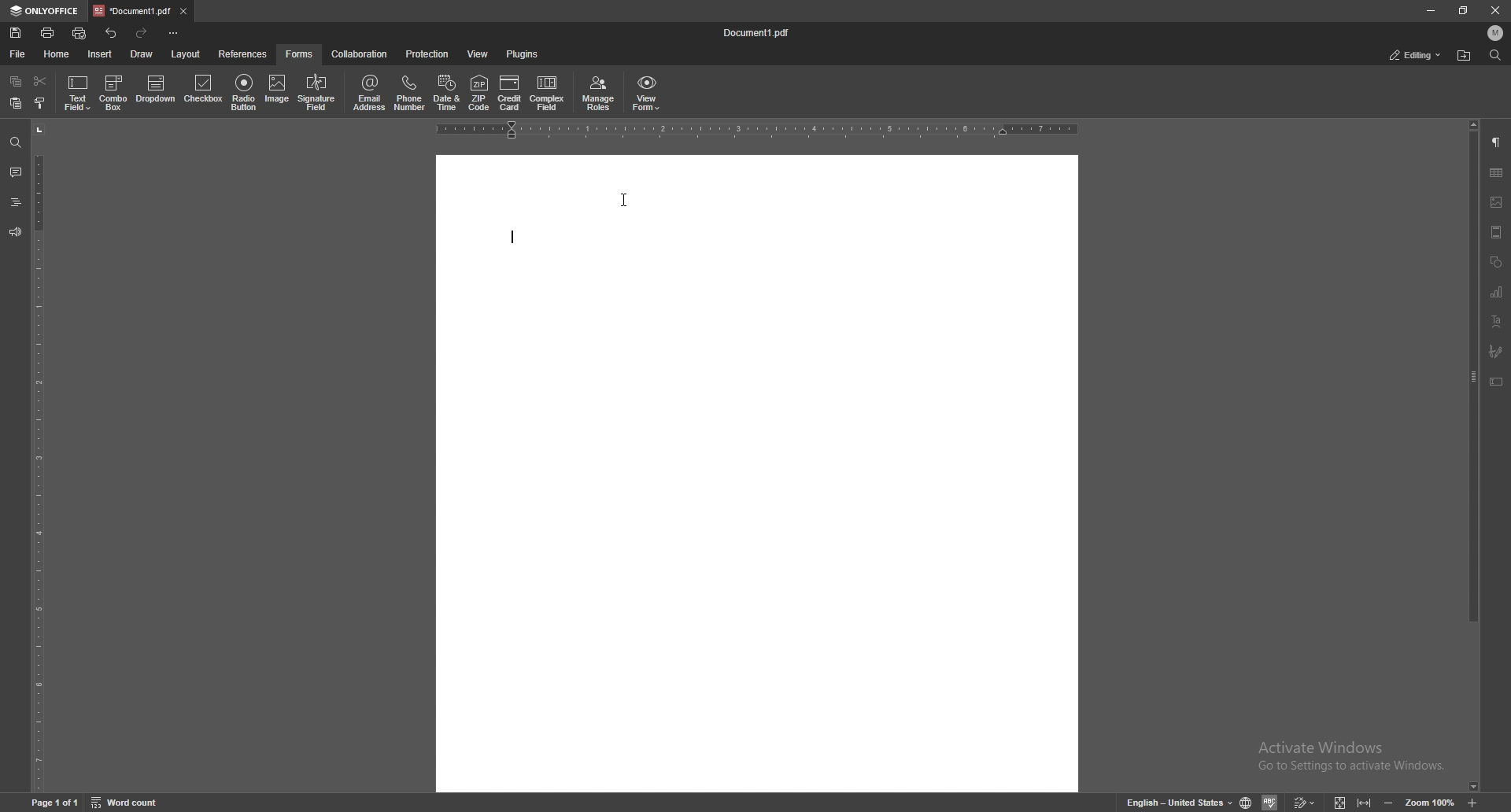  Describe the element at coordinates (760, 130) in the screenshot. I see `horiztontal scale` at that location.